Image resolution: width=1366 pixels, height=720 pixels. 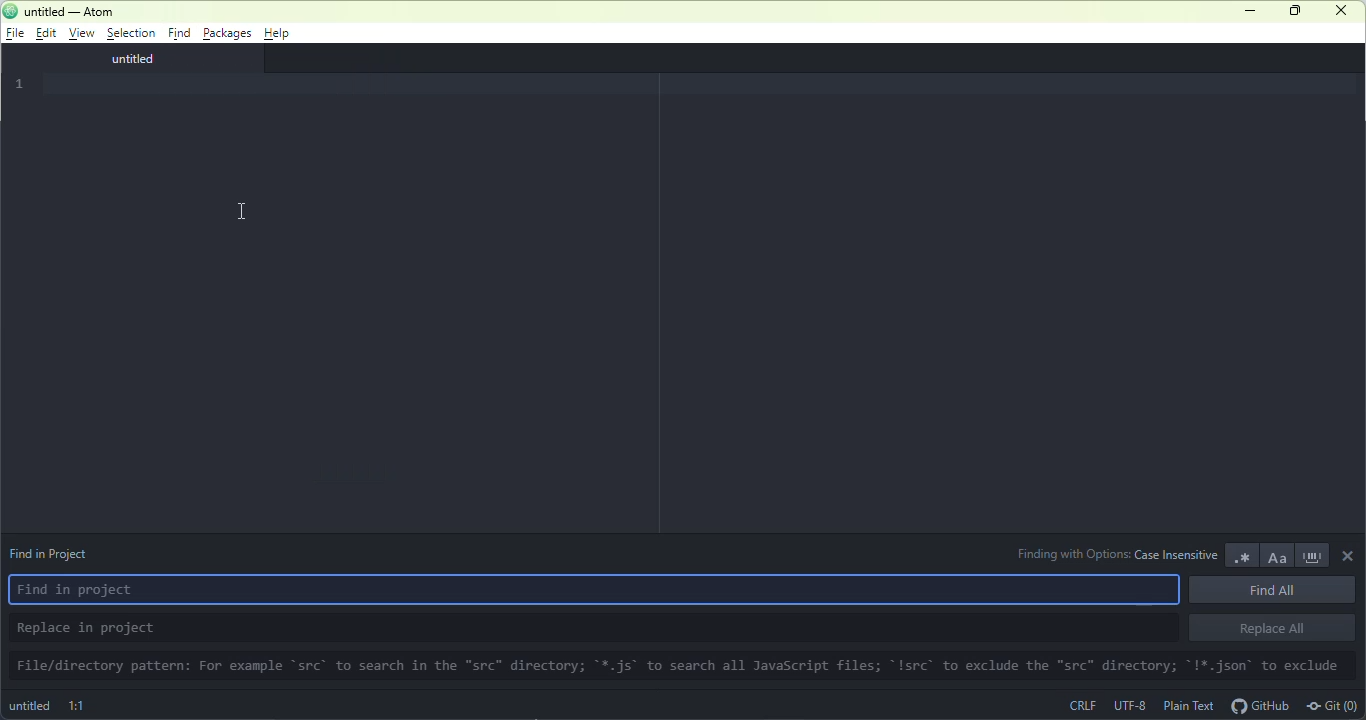 What do you see at coordinates (30, 707) in the screenshot?
I see `untitled` at bounding box center [30, 707].